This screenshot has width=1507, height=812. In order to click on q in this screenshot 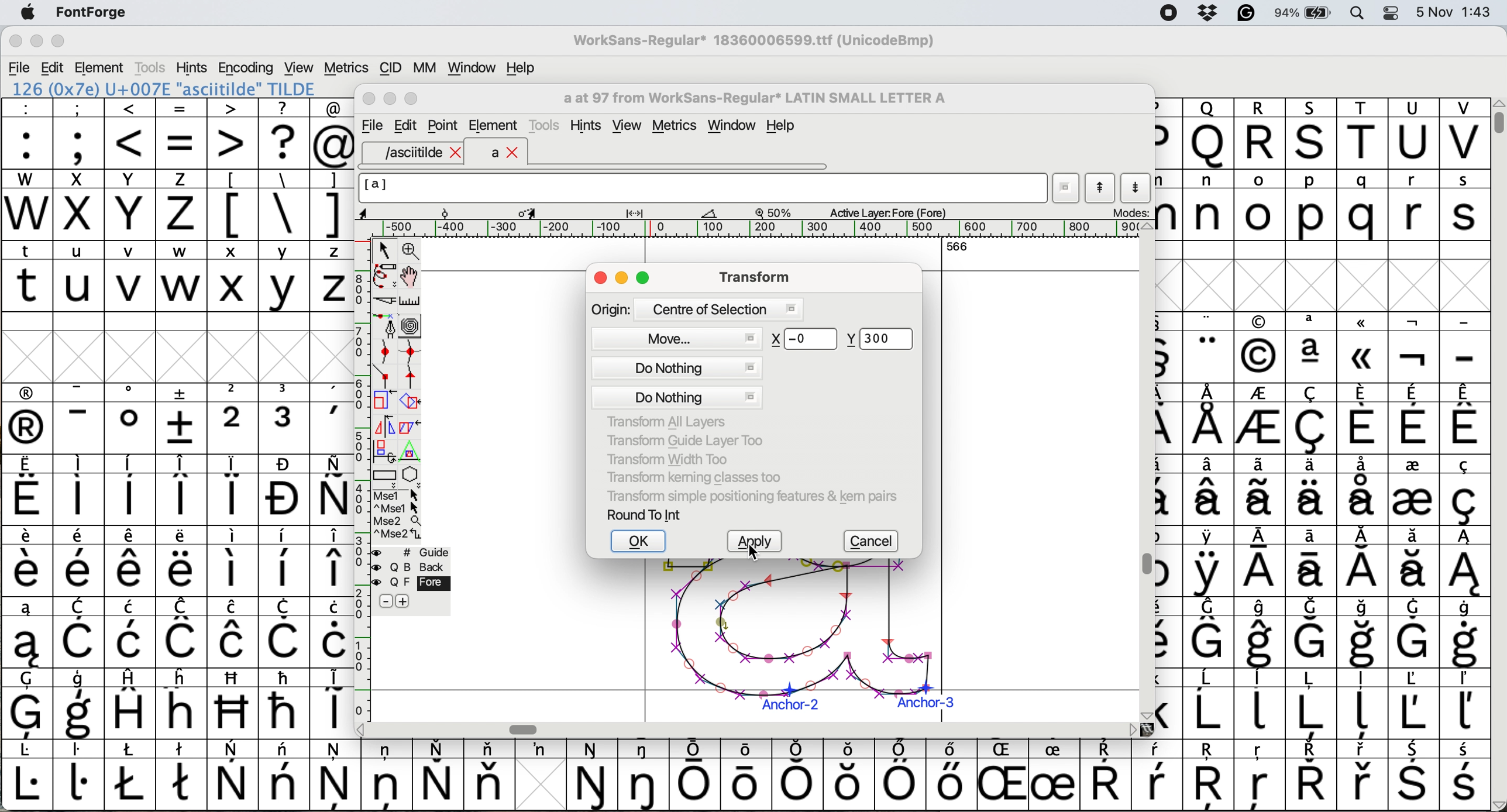, I will do `click(1365, 206)`.